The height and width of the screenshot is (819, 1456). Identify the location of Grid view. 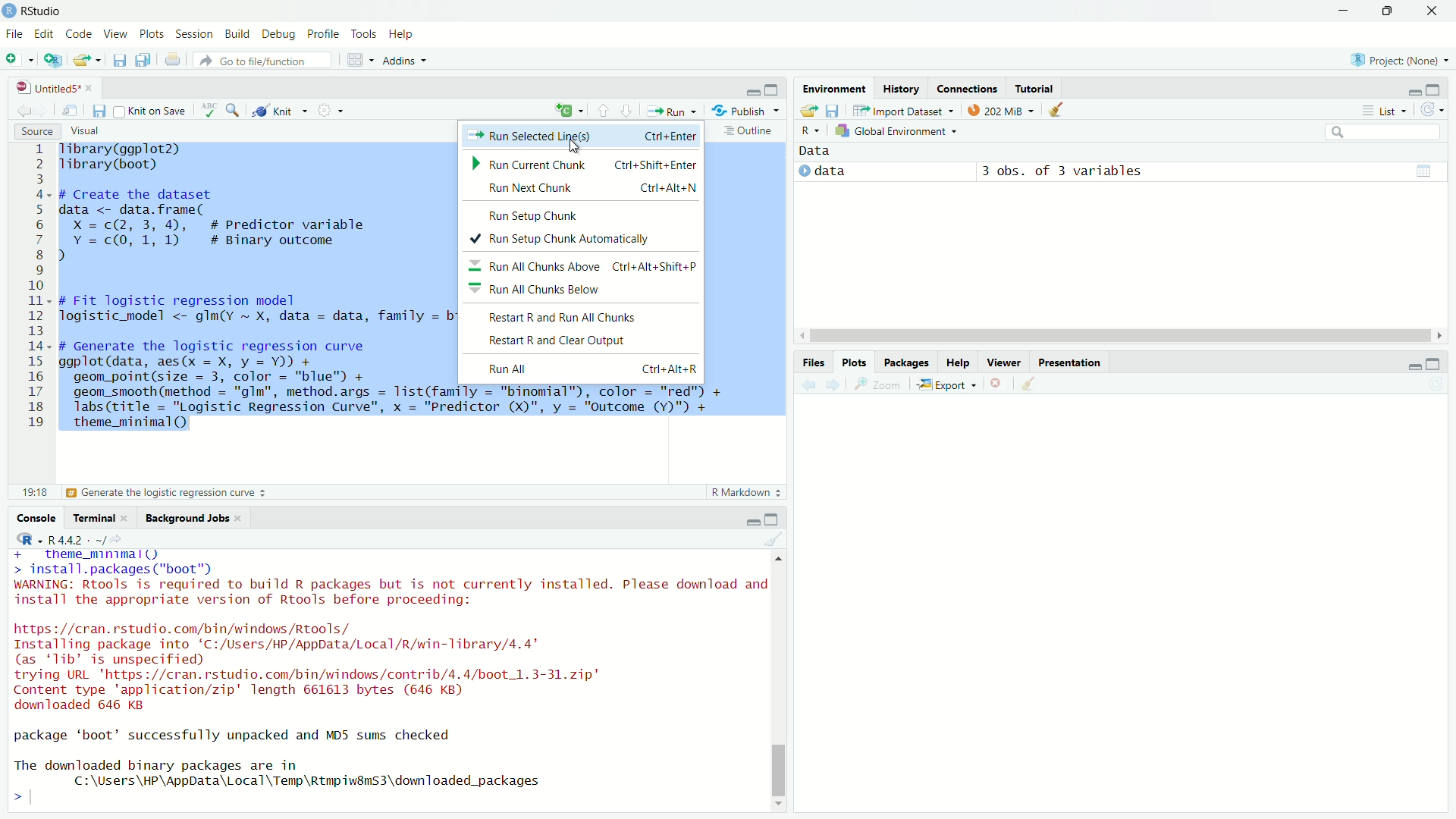
(1424, 171).